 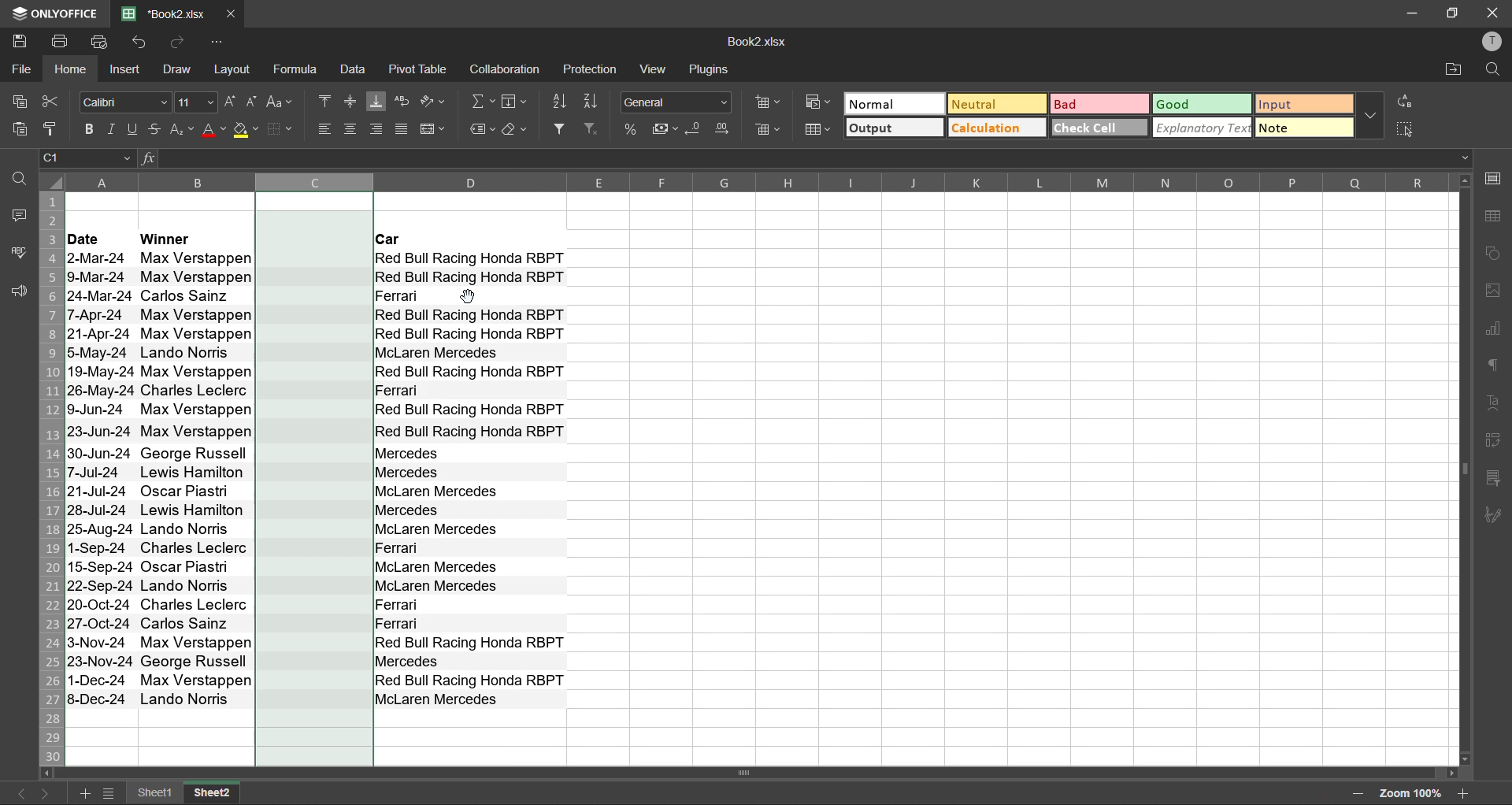 I want to click on table, so click(x=1492, y=217).